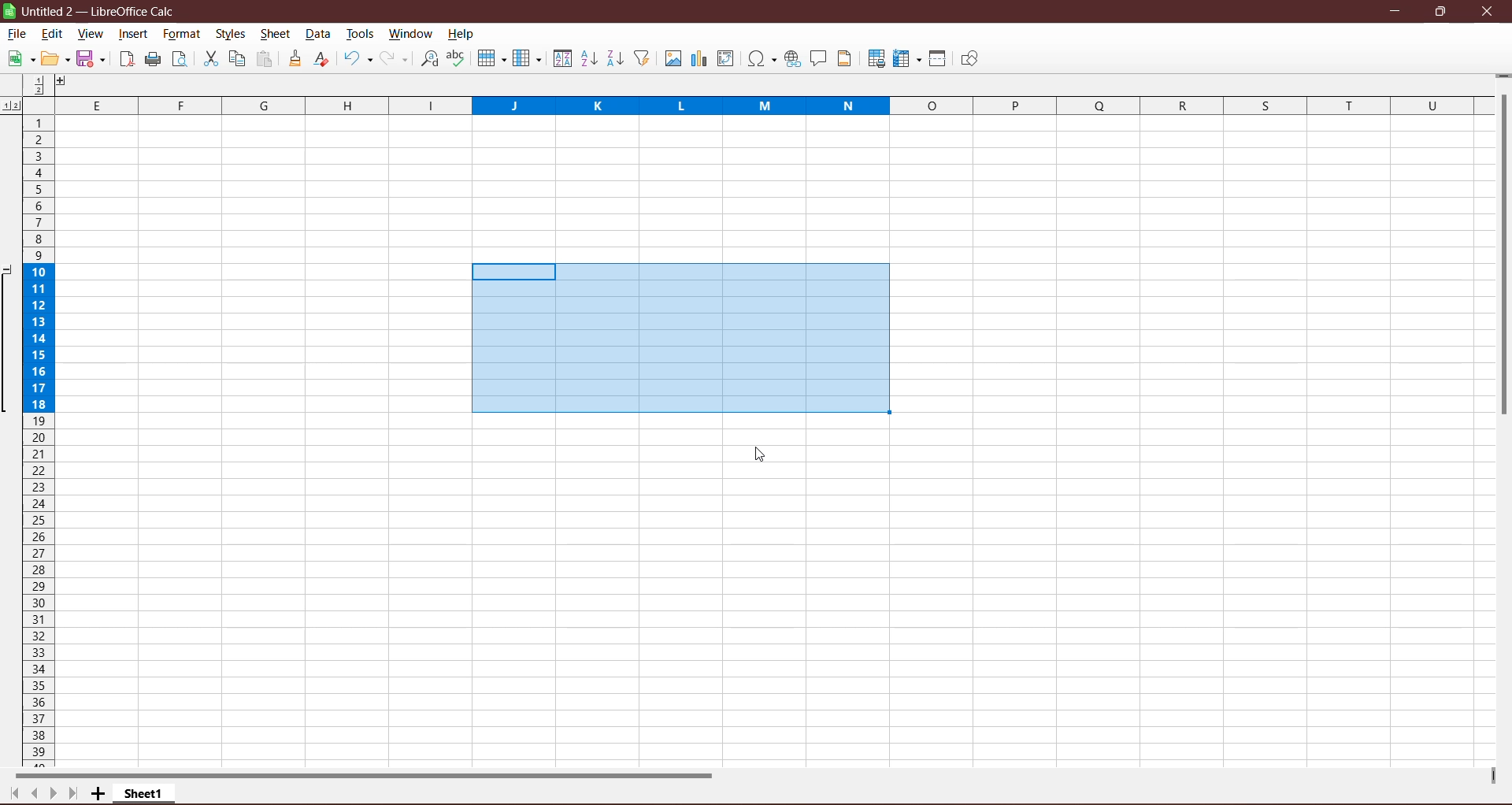 This screenshot has height=805, width=1512. Describe the element at coordinates (969, 59) in the screenshot. I see `Show Draw Functions` at that location.